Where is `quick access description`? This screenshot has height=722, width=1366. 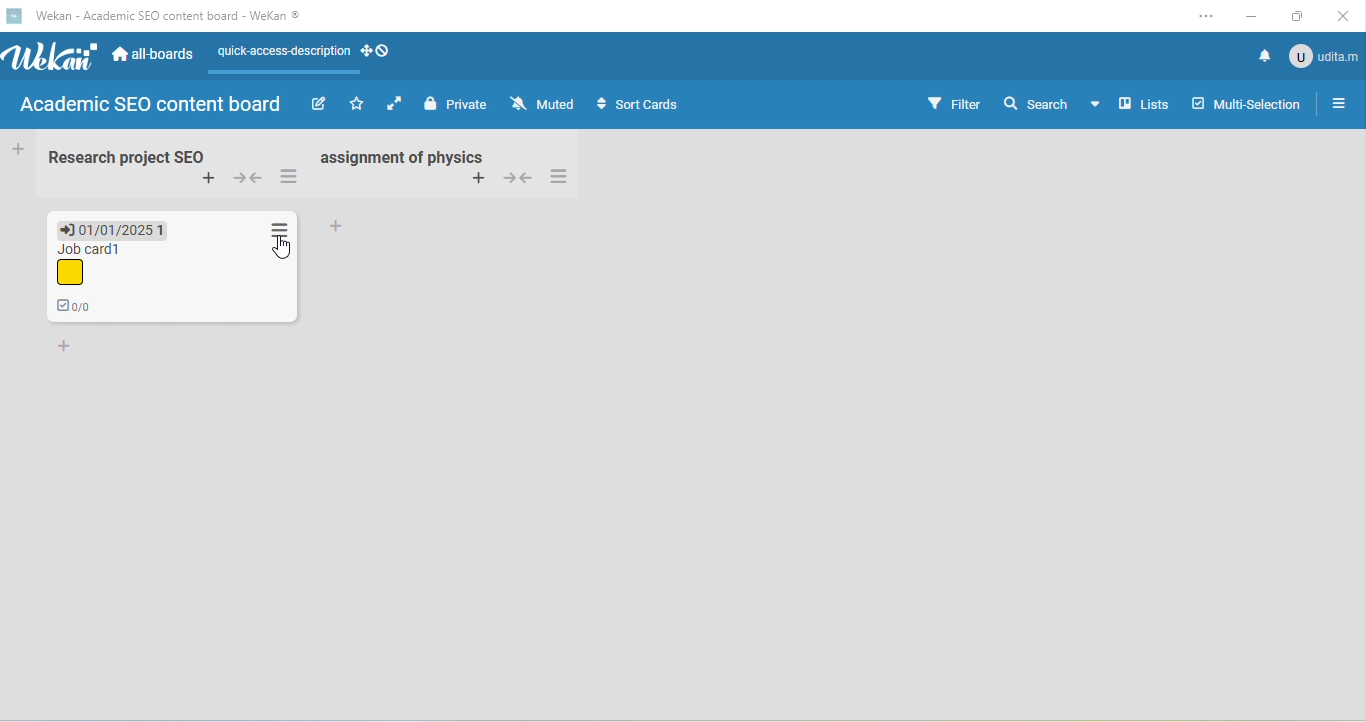
quick access description is located at coordinates (280, 57).